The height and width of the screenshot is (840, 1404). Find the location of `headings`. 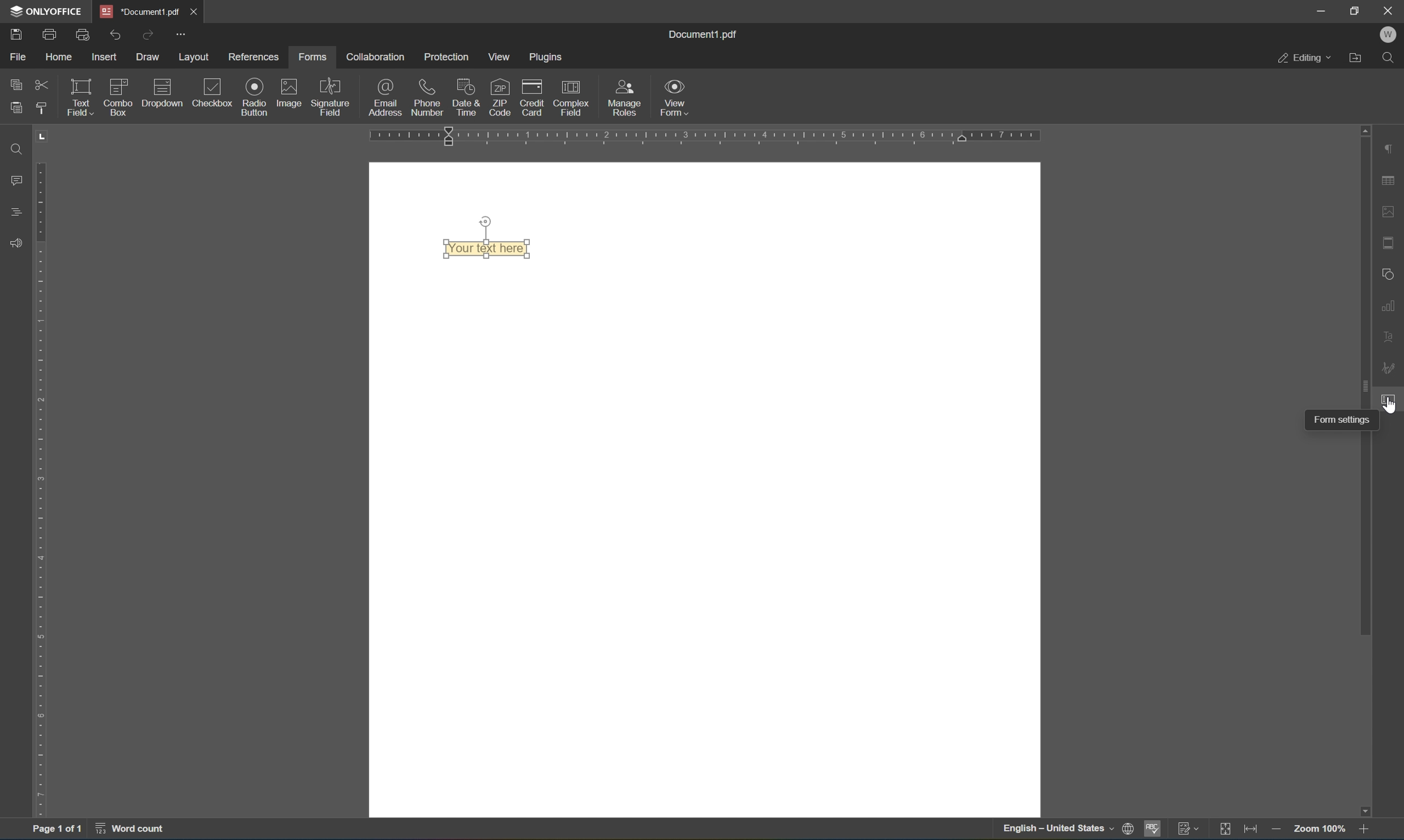

headings is located at coordinates (14, 212).